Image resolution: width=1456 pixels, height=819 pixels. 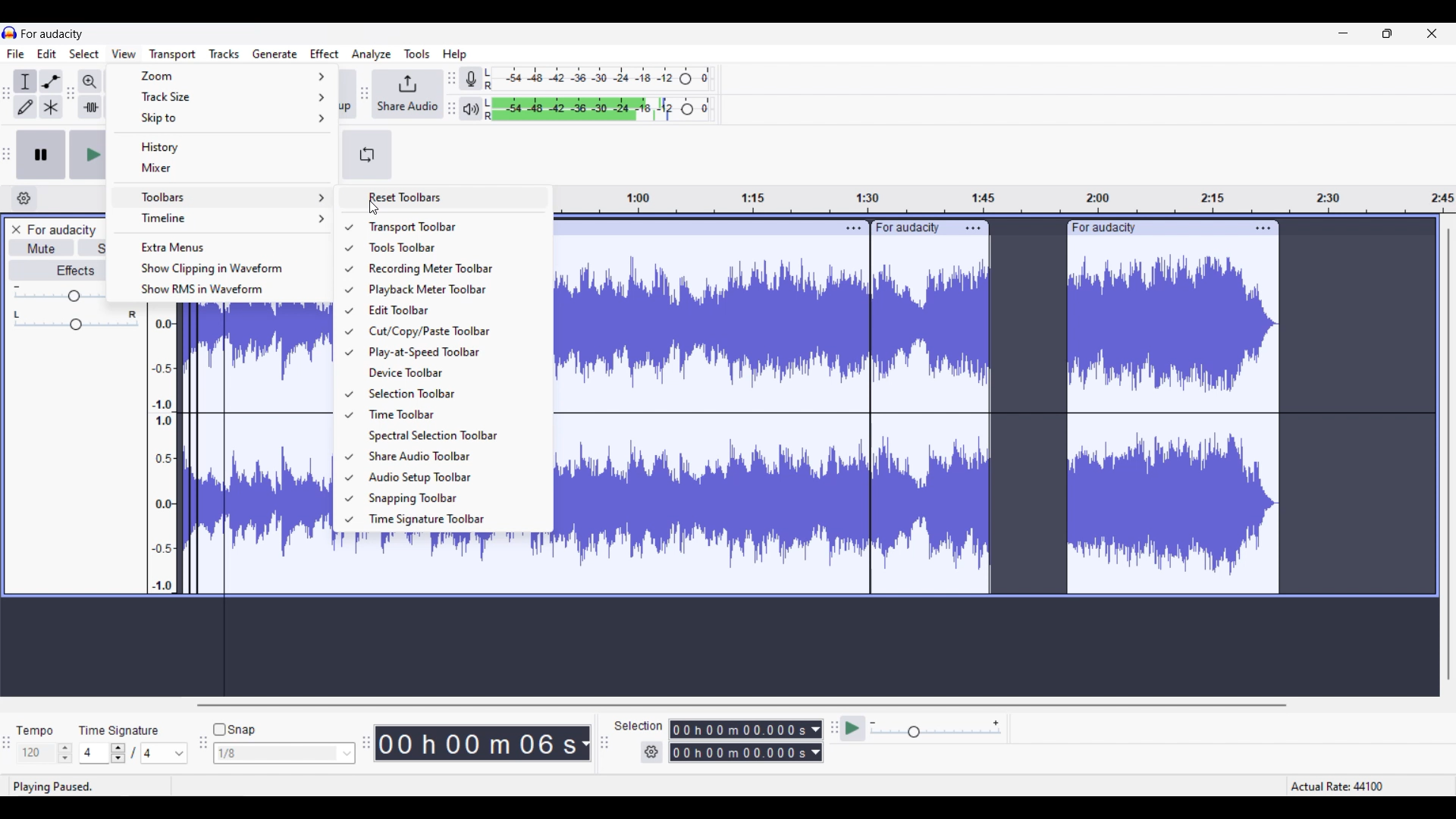 I want to click on Checks indicate toolbar selected, so click(x=348, y=373).